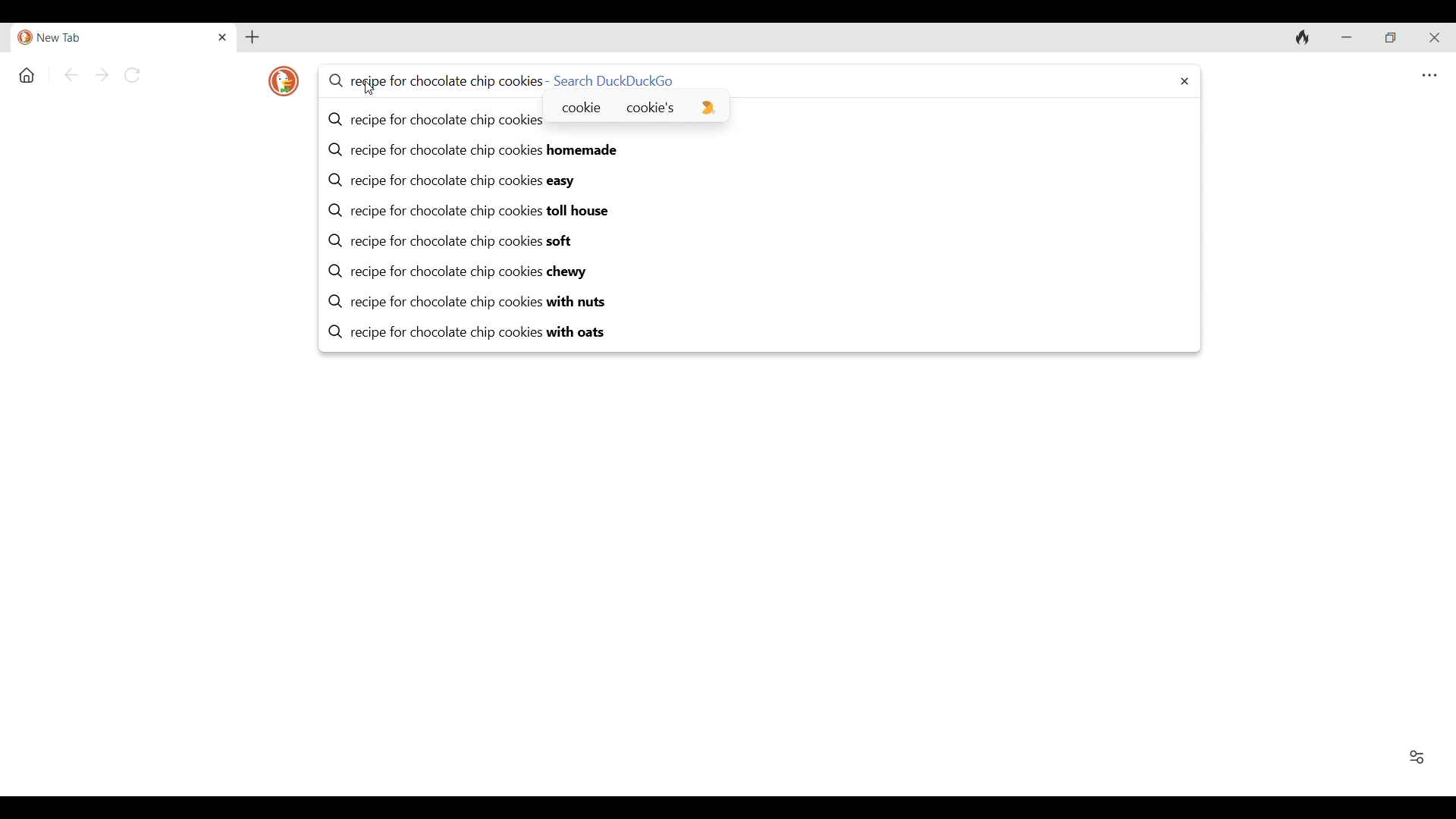 The height and width of the screenshot is (819, 1456). Describe the element at coordinates (112, 38) in the screenshot. I see `New tab` at that location.